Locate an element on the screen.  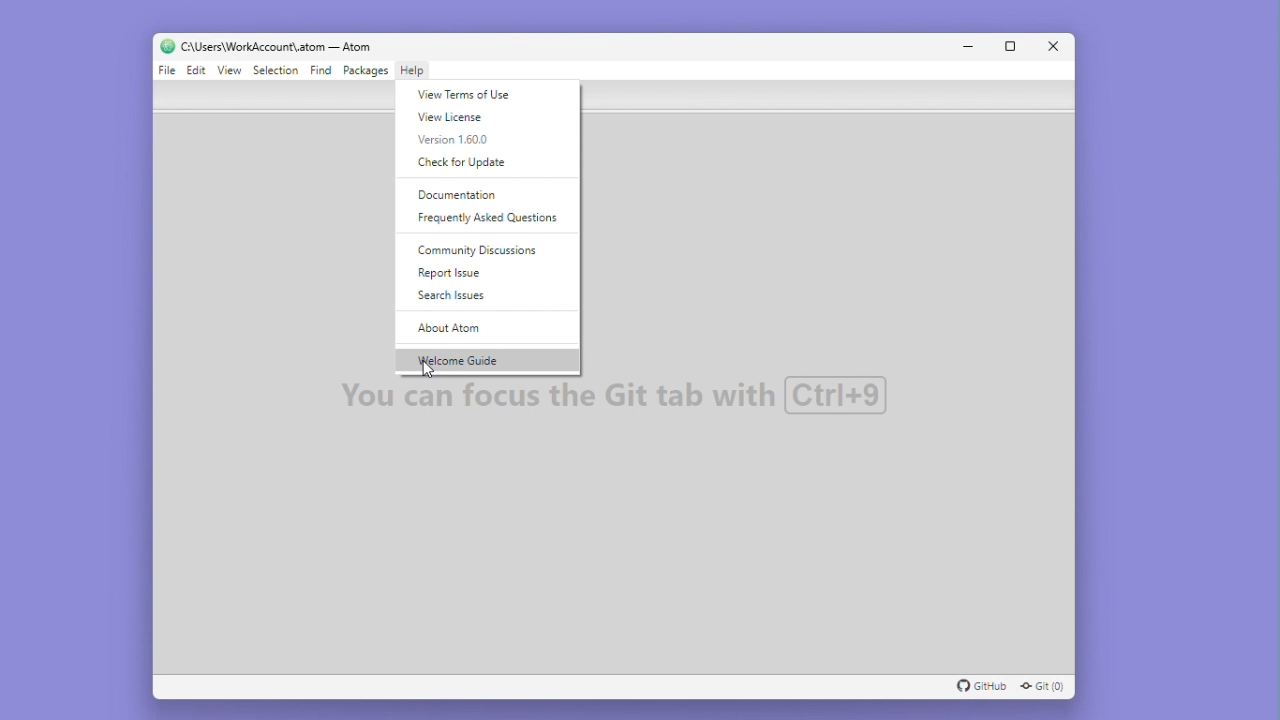
About atom is located at coordinates (455, 328).